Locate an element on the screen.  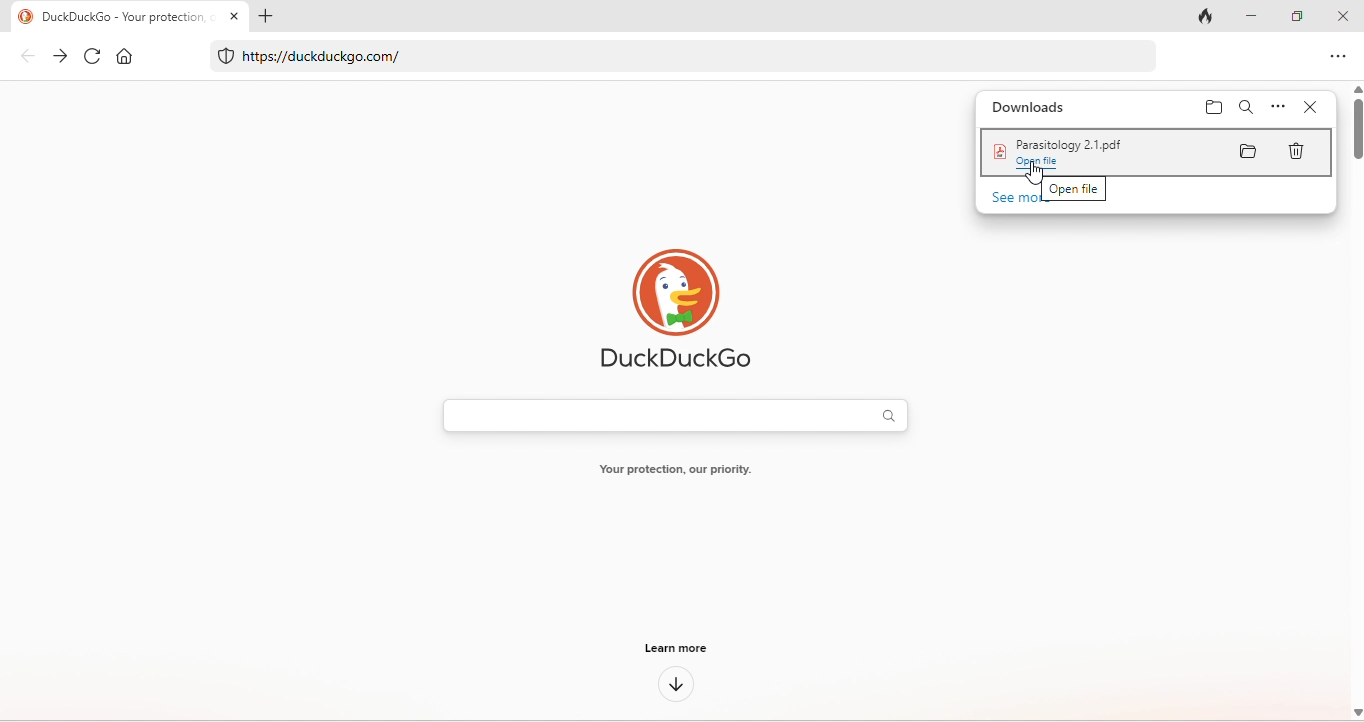
search is located at coordinates (1243, 107).